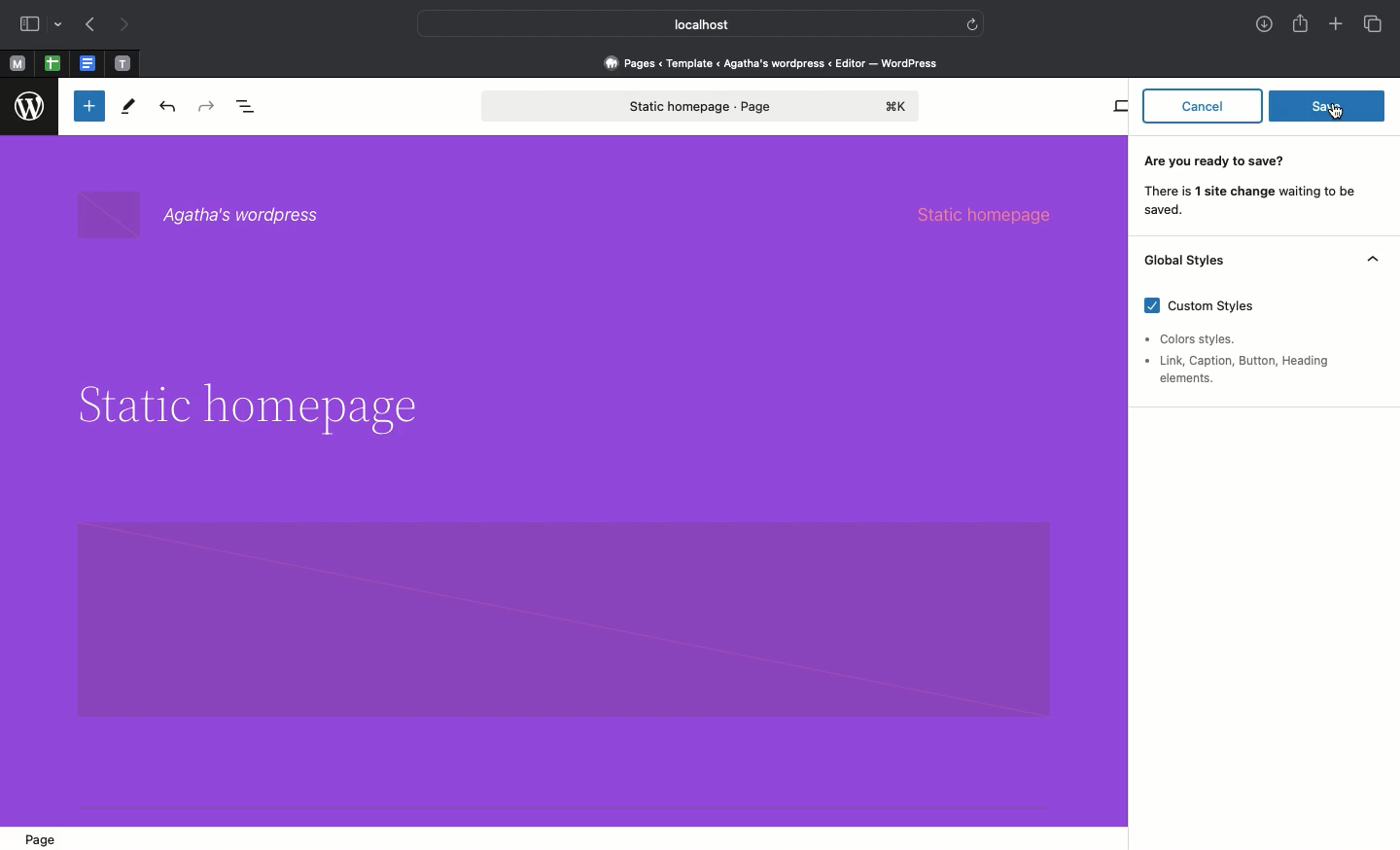 The image size is (1400, 850). I want to click on Pinned tab, so click(123, 64).